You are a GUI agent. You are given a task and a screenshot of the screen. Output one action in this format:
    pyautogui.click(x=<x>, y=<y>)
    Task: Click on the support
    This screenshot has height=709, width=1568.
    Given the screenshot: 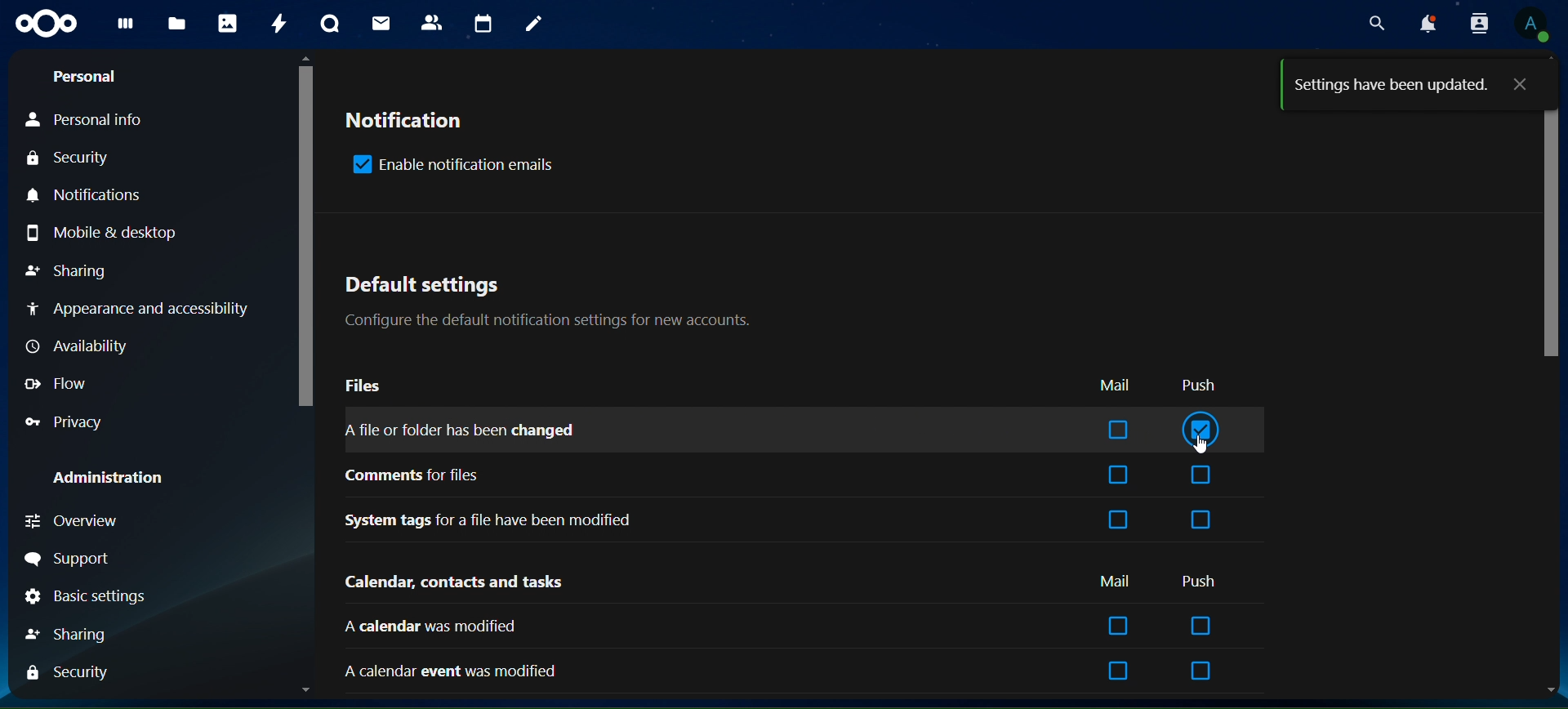 What is the action you would take?
    pyautogui.click(x=113, y=557)
    